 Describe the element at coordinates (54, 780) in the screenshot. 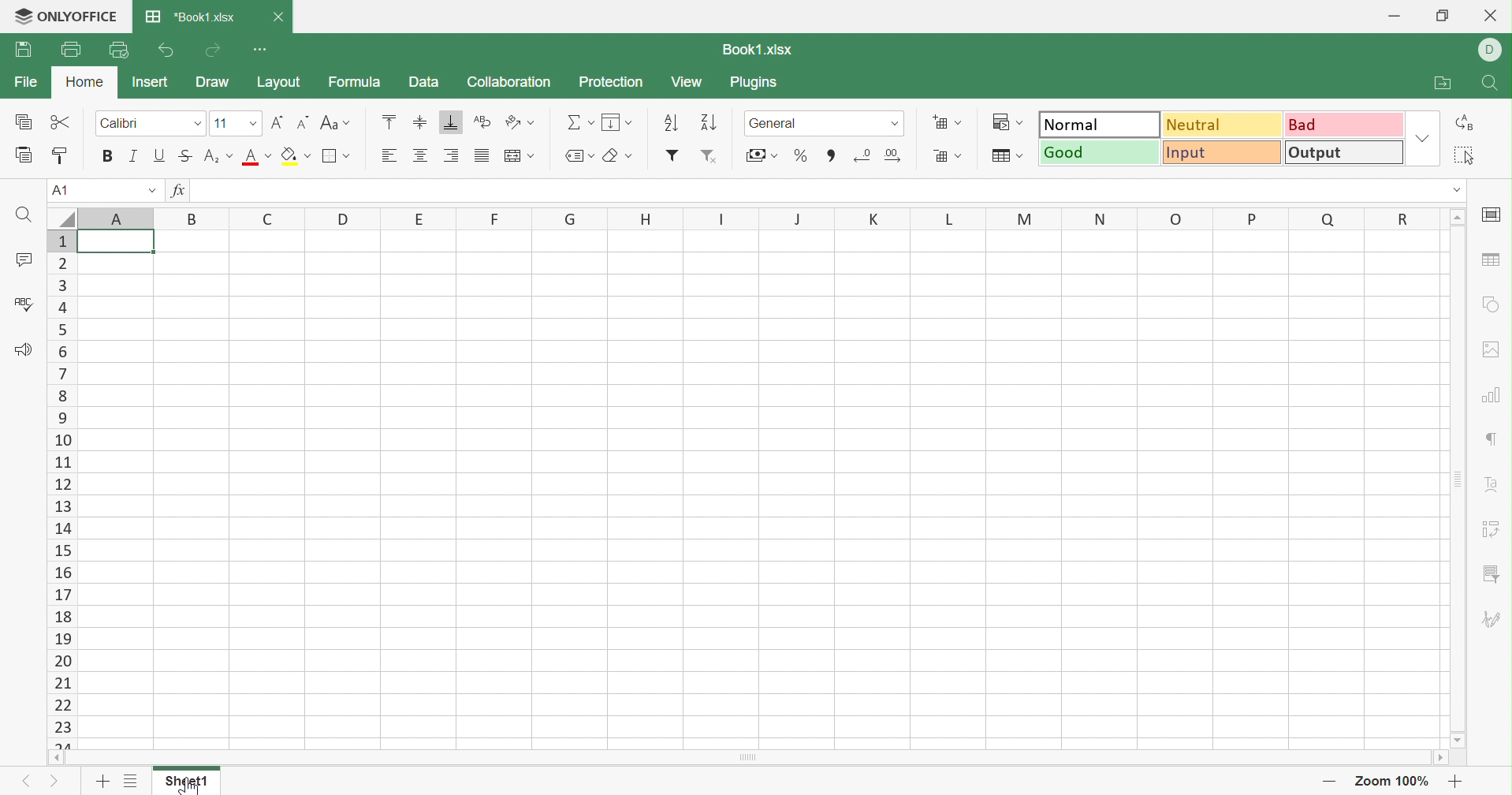

I see `Next` at that location.